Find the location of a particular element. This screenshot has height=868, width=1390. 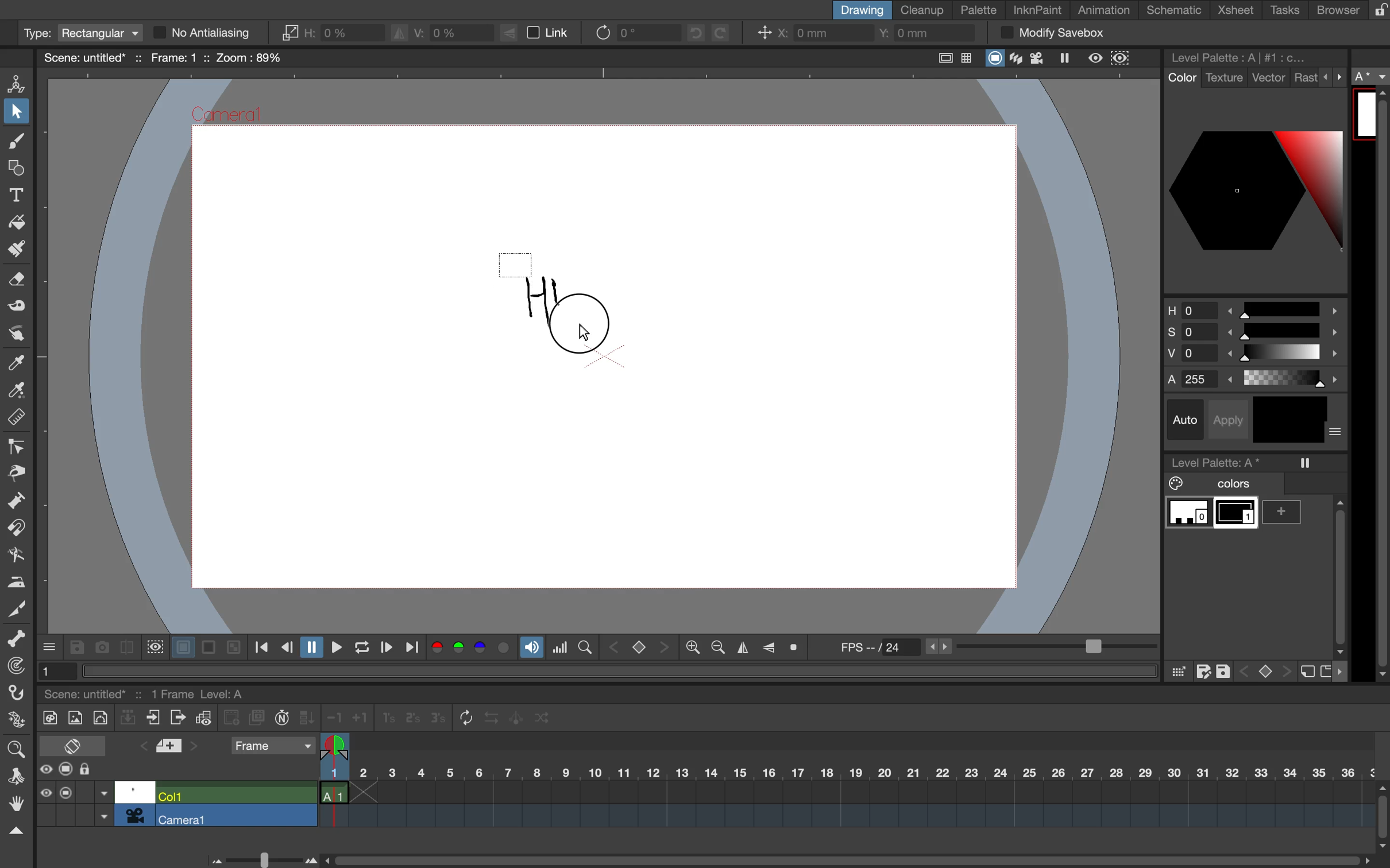

sub camera preview is located at coordinates (1121, 59).